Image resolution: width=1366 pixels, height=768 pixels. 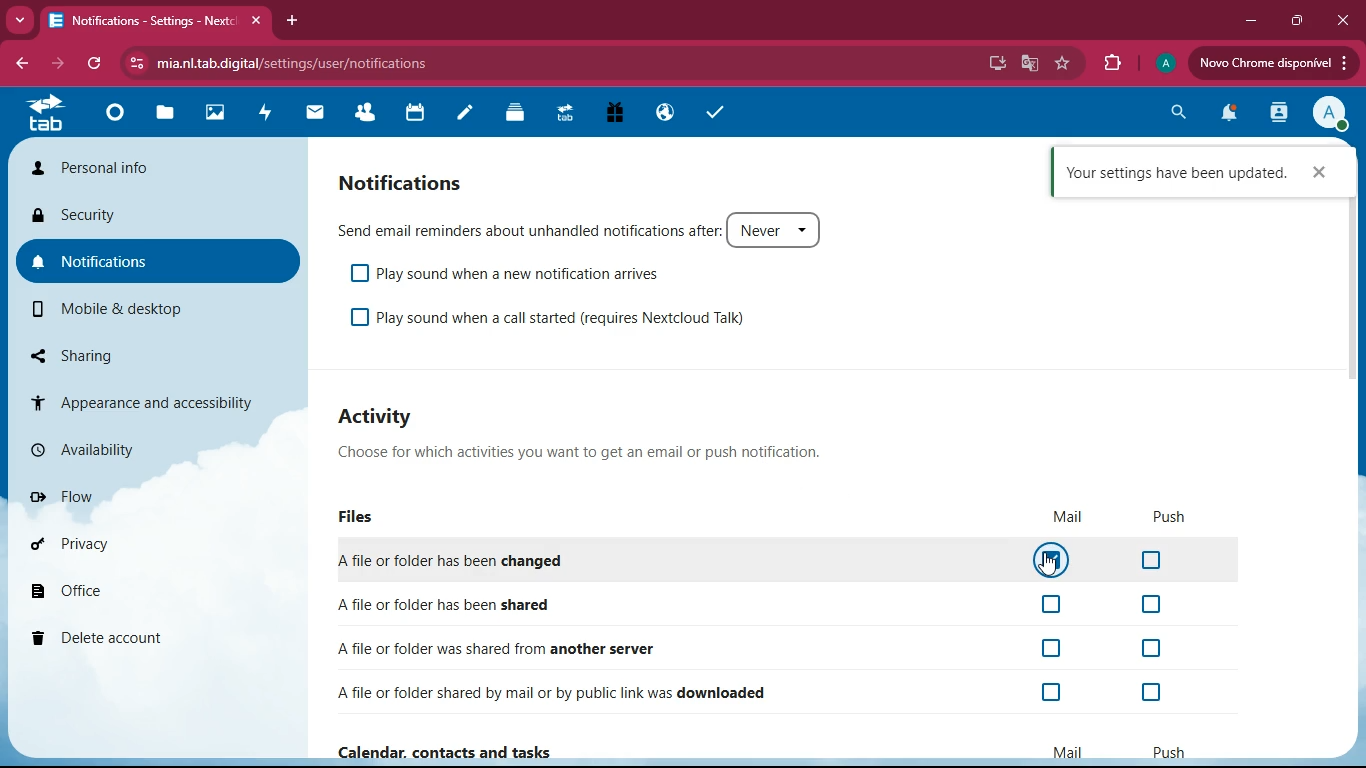 What do you see at coordinates (318, 118) in the screenshot?
I see `mail` at bounding box center [318, 118].